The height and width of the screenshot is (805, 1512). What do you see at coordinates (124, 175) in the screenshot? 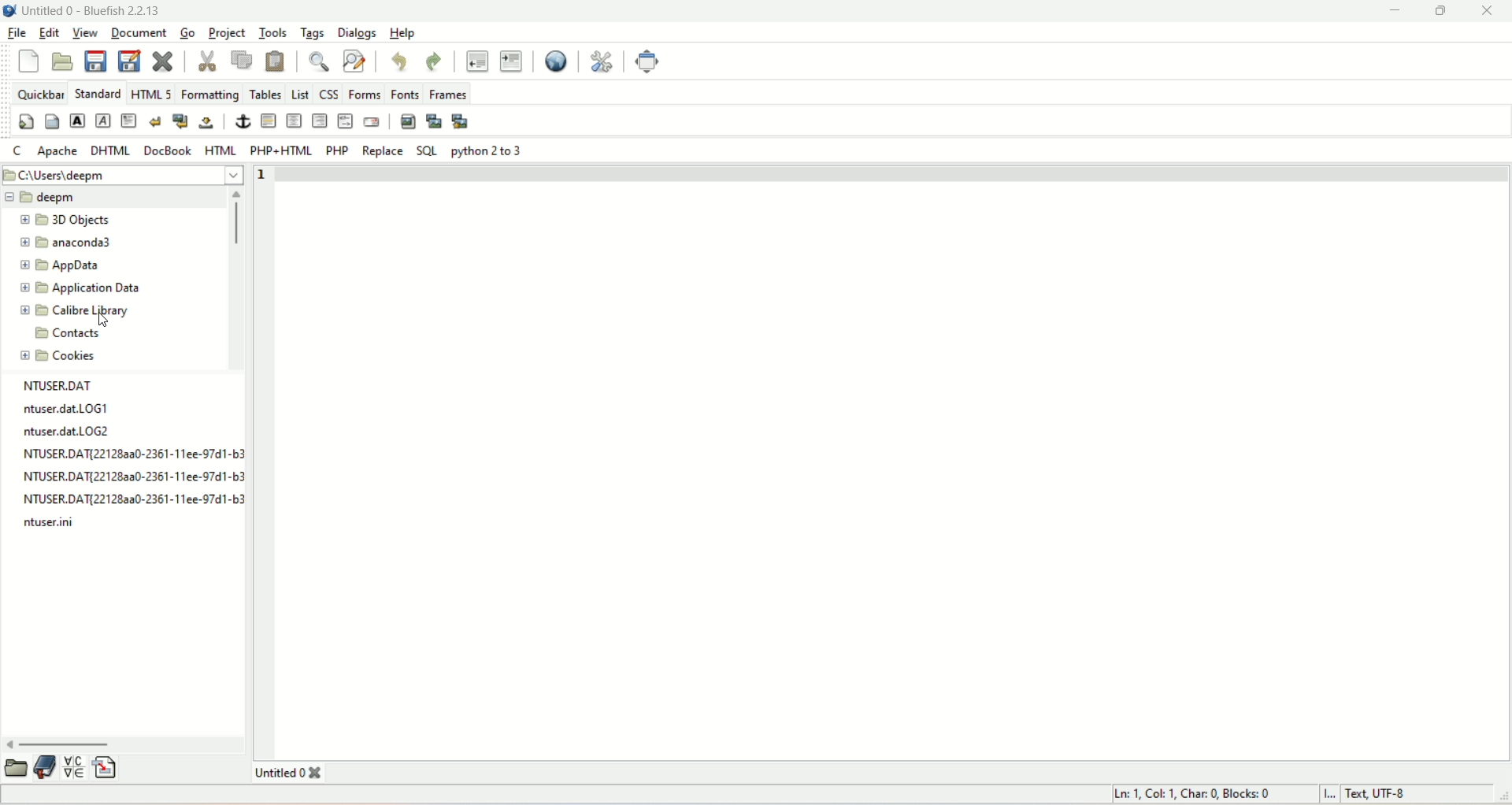
I see `location` at bounding box center [124, 175].